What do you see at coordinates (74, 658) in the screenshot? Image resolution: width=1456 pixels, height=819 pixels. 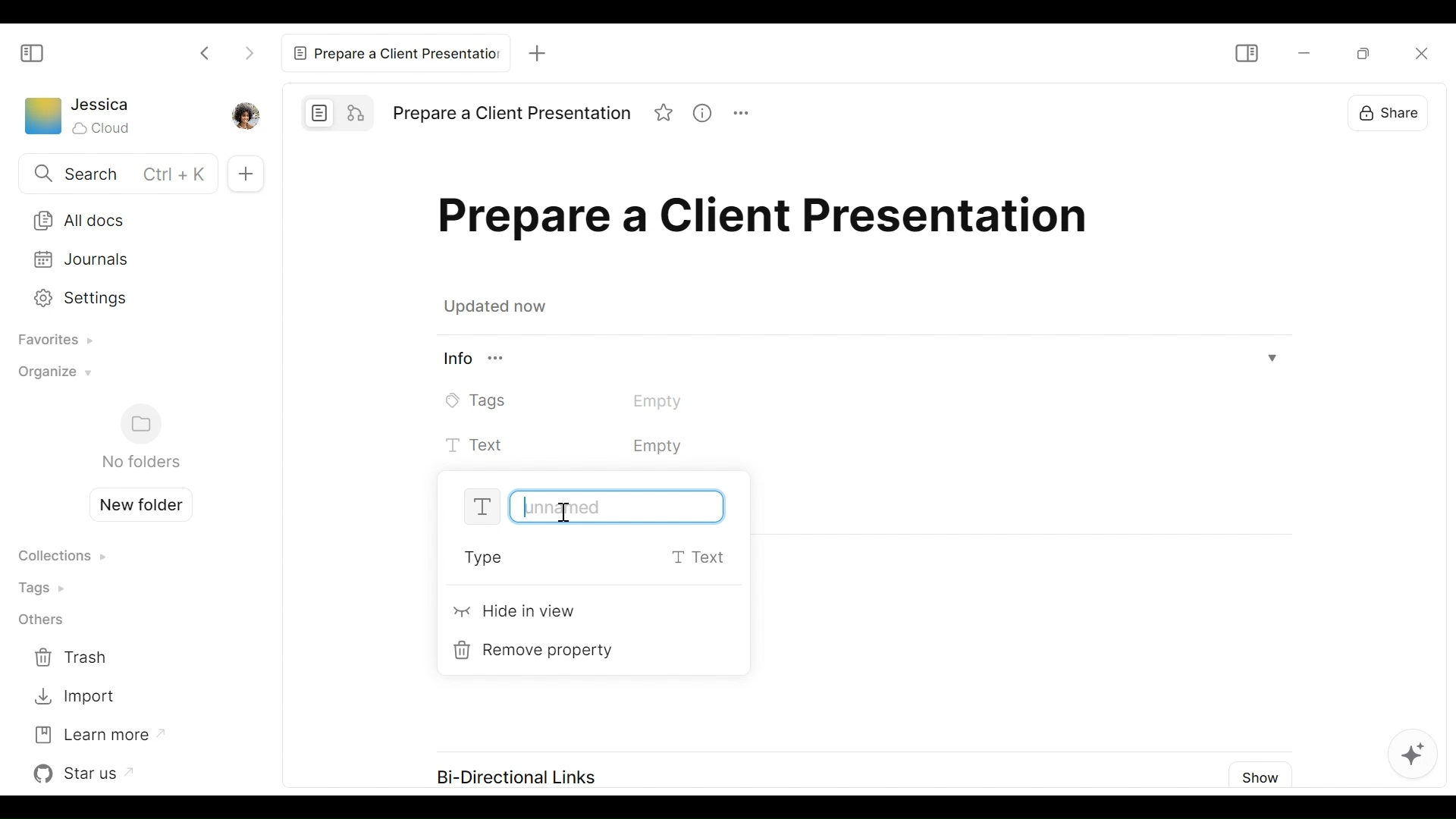 I see `Trash` at bounding box center [74, 658].